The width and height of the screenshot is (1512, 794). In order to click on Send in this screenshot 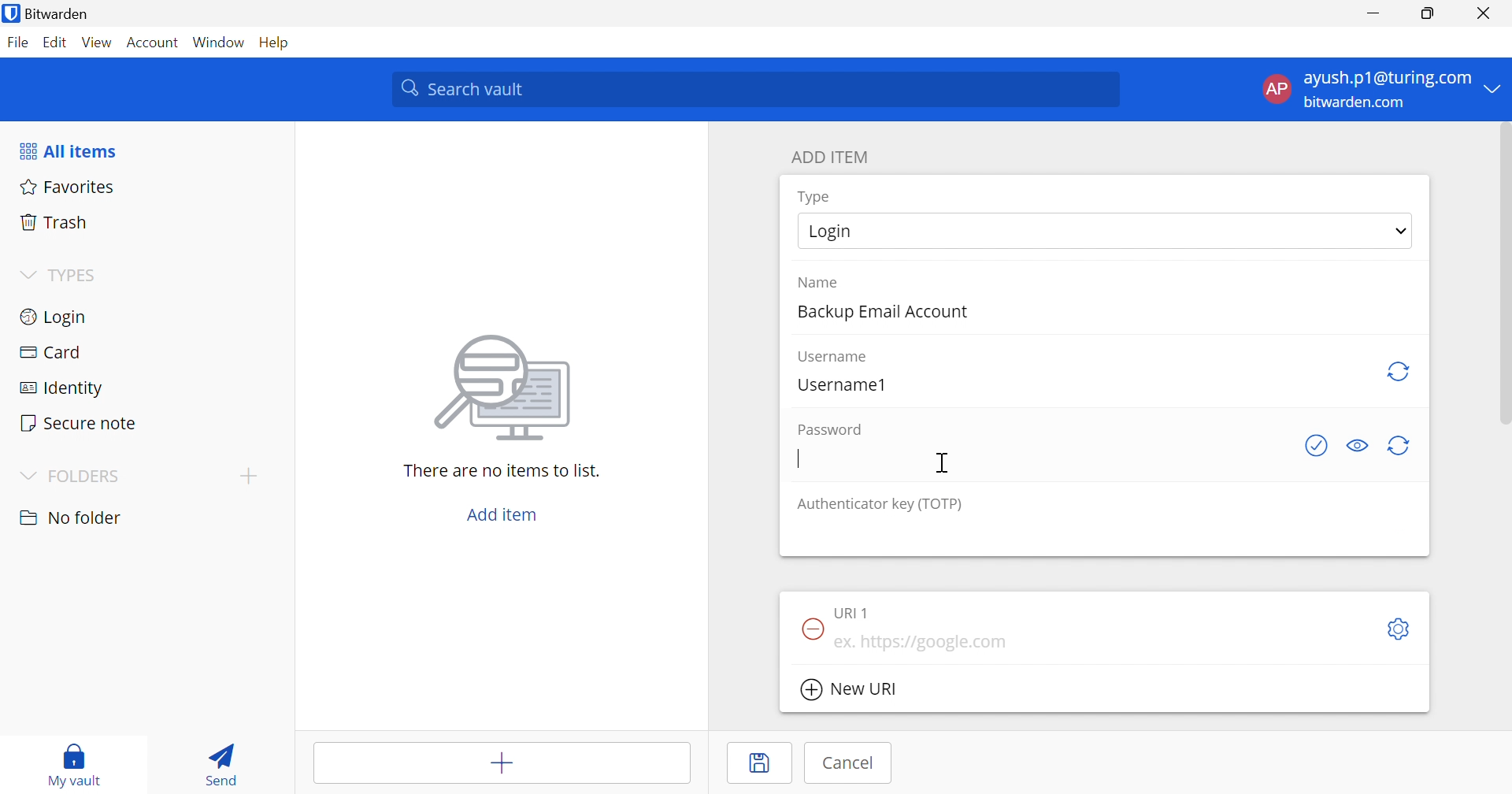, I will do `click(225, 763)`.